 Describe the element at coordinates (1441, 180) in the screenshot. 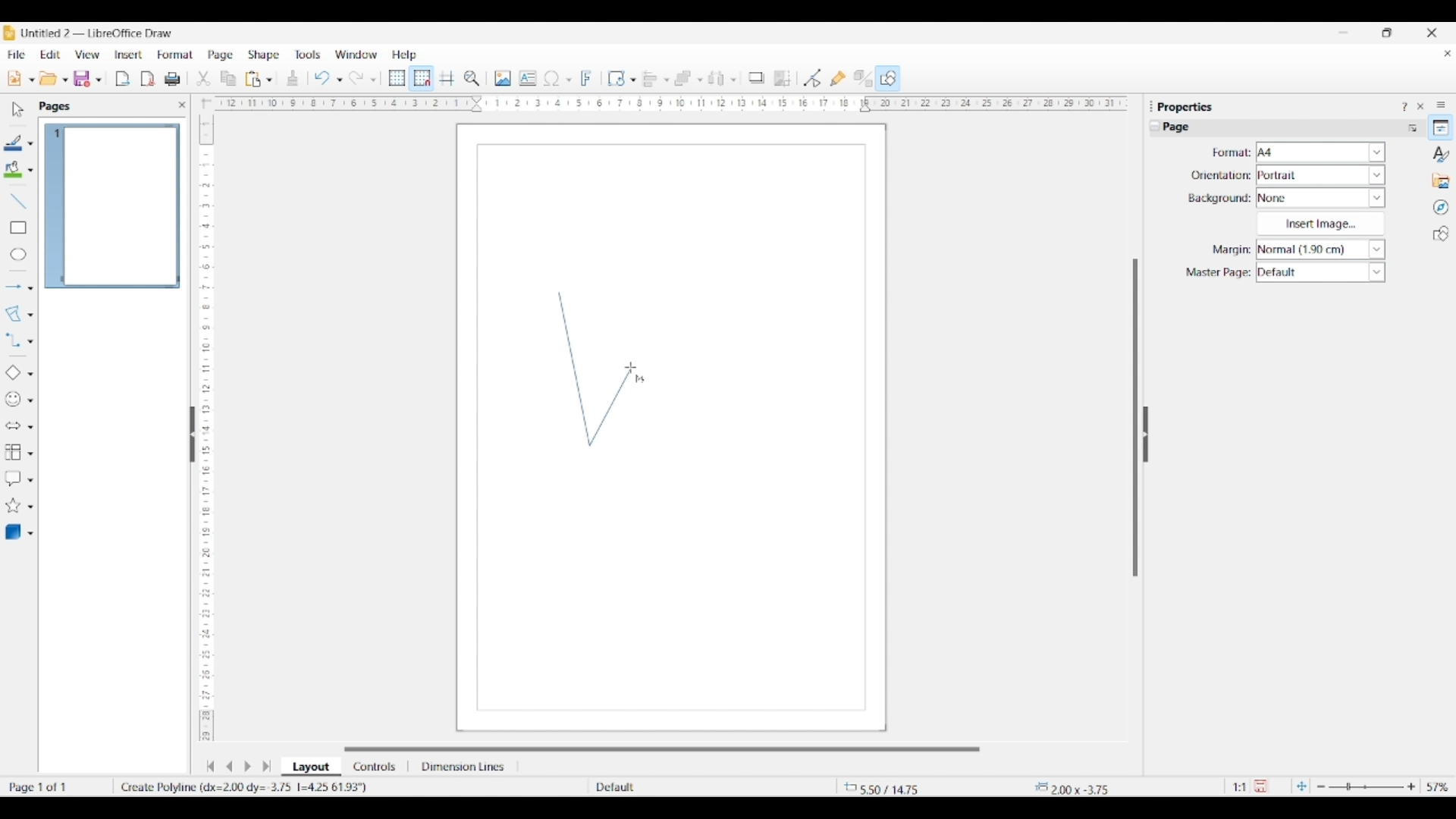

I see `Gallery` at that location.